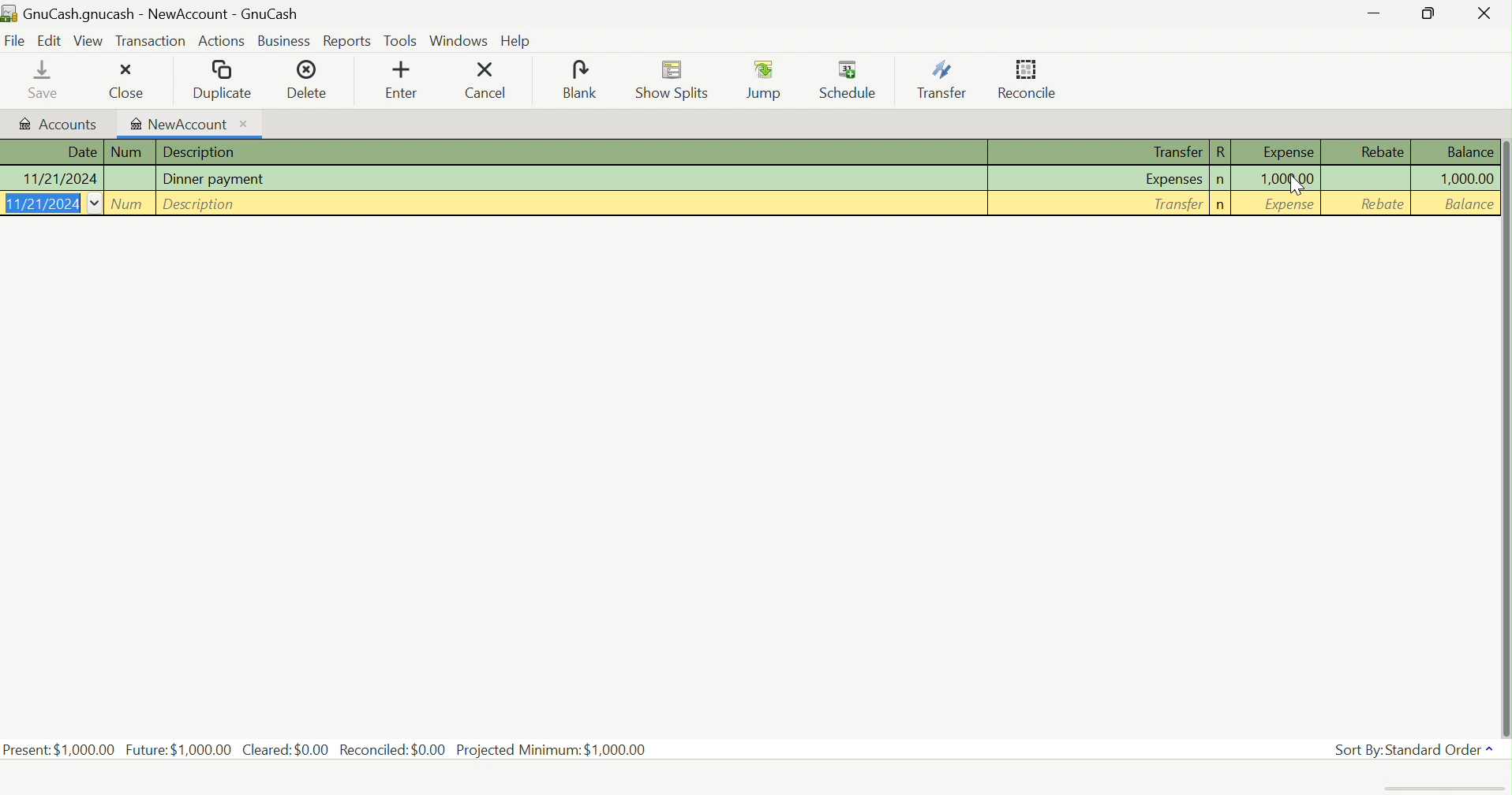 The image size is (1512, 795). What do you see at coordinates (189, 123) in the screenshot?
I see `NewAccount` at bounding box center [189, 123].